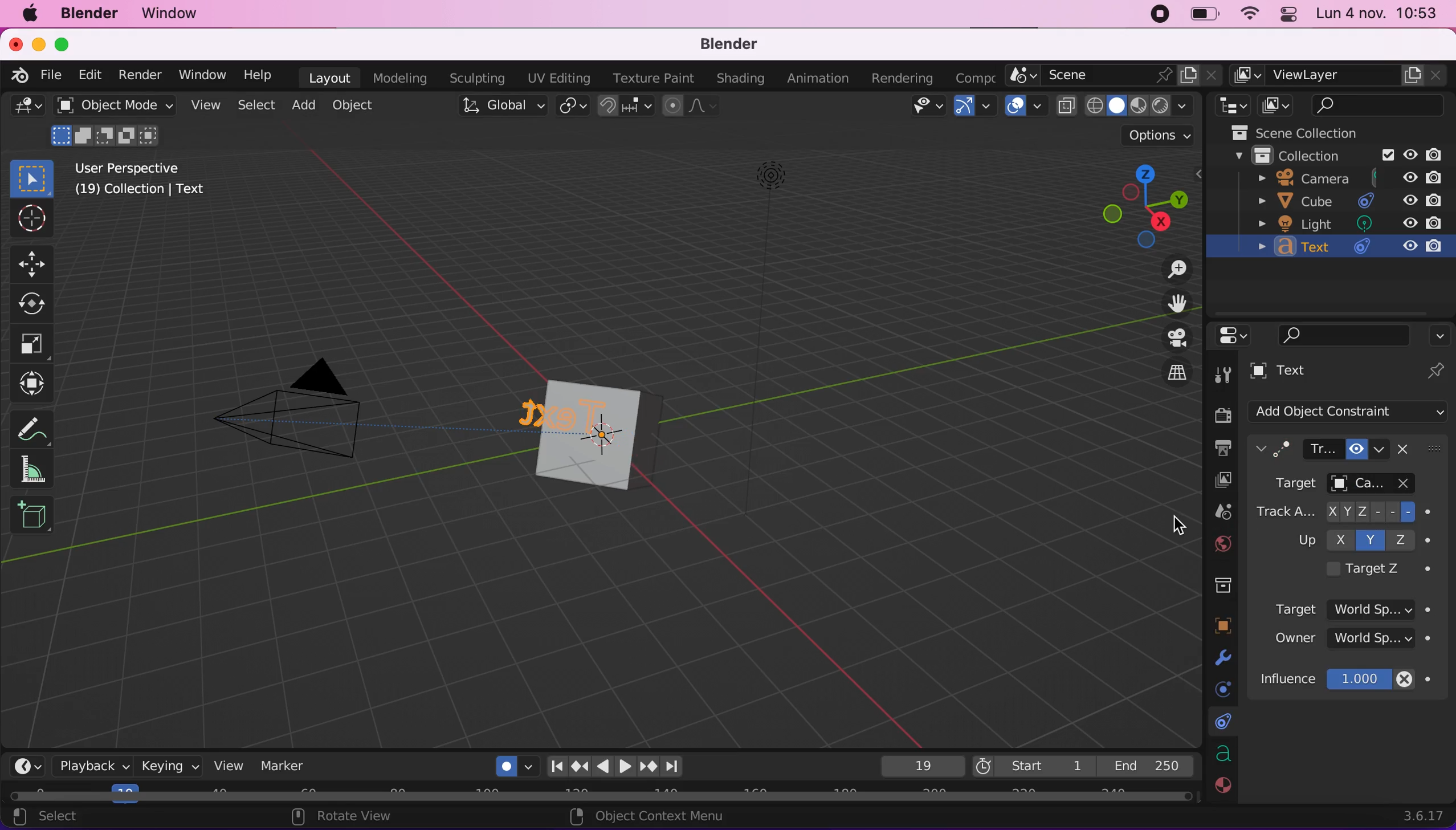 Image resolution: width=1456 pixels, height=830 pixels. What do you see at coordinates (1310, 133) in the screenshot?
I see `scene collection` at bounding box center [1310, 133].